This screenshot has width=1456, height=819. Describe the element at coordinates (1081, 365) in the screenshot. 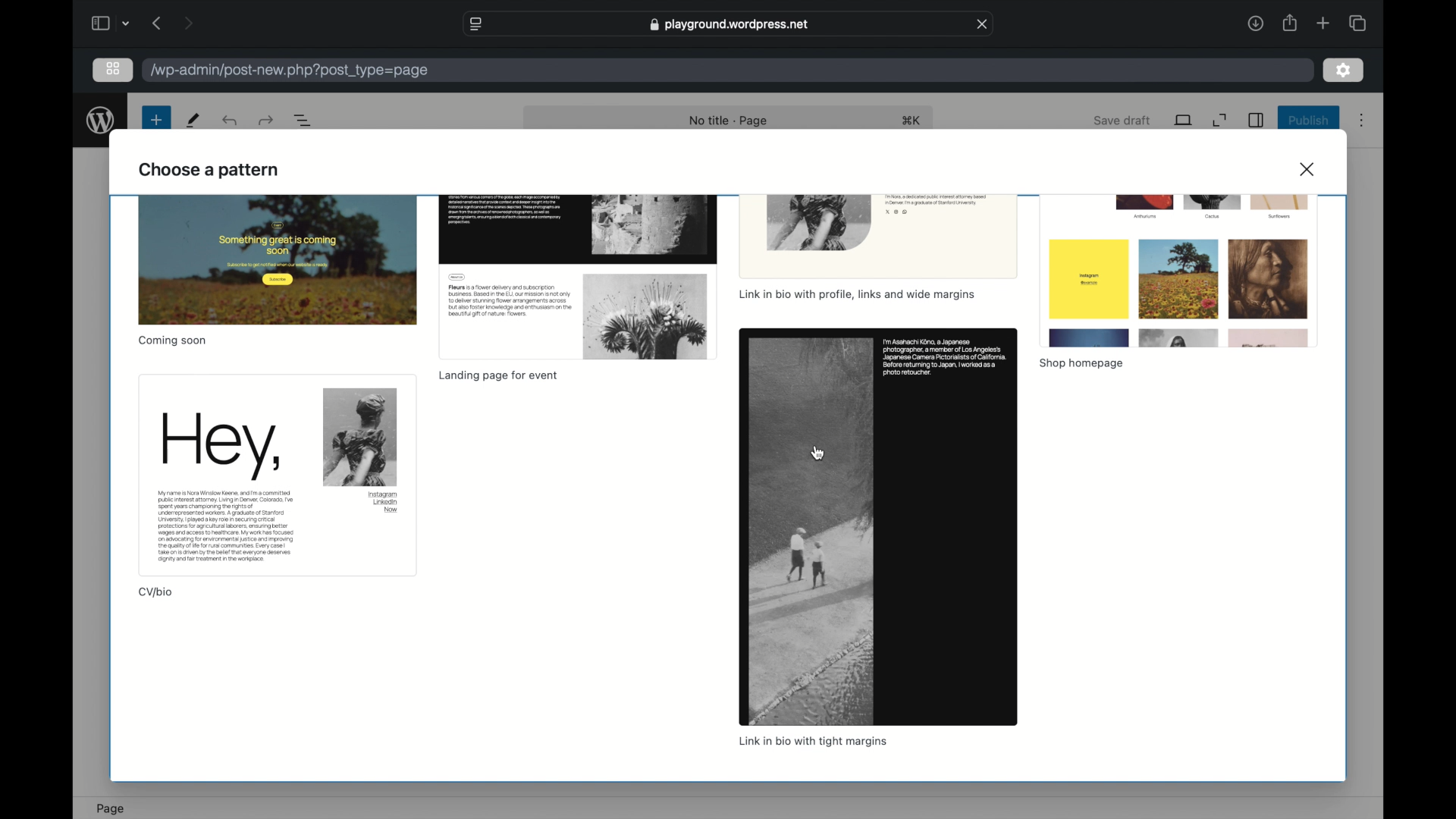

I see `shop homepage` at that location.